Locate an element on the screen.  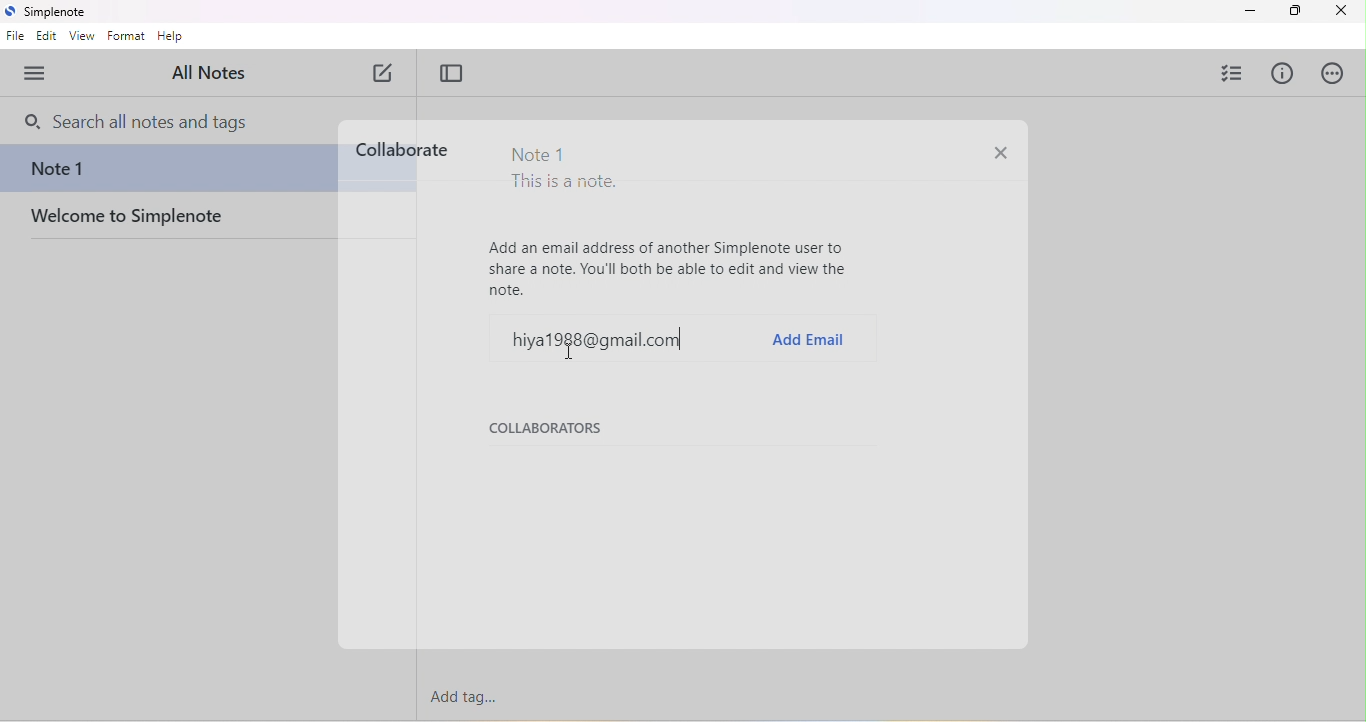
new note is located at coordinates (385, 73).